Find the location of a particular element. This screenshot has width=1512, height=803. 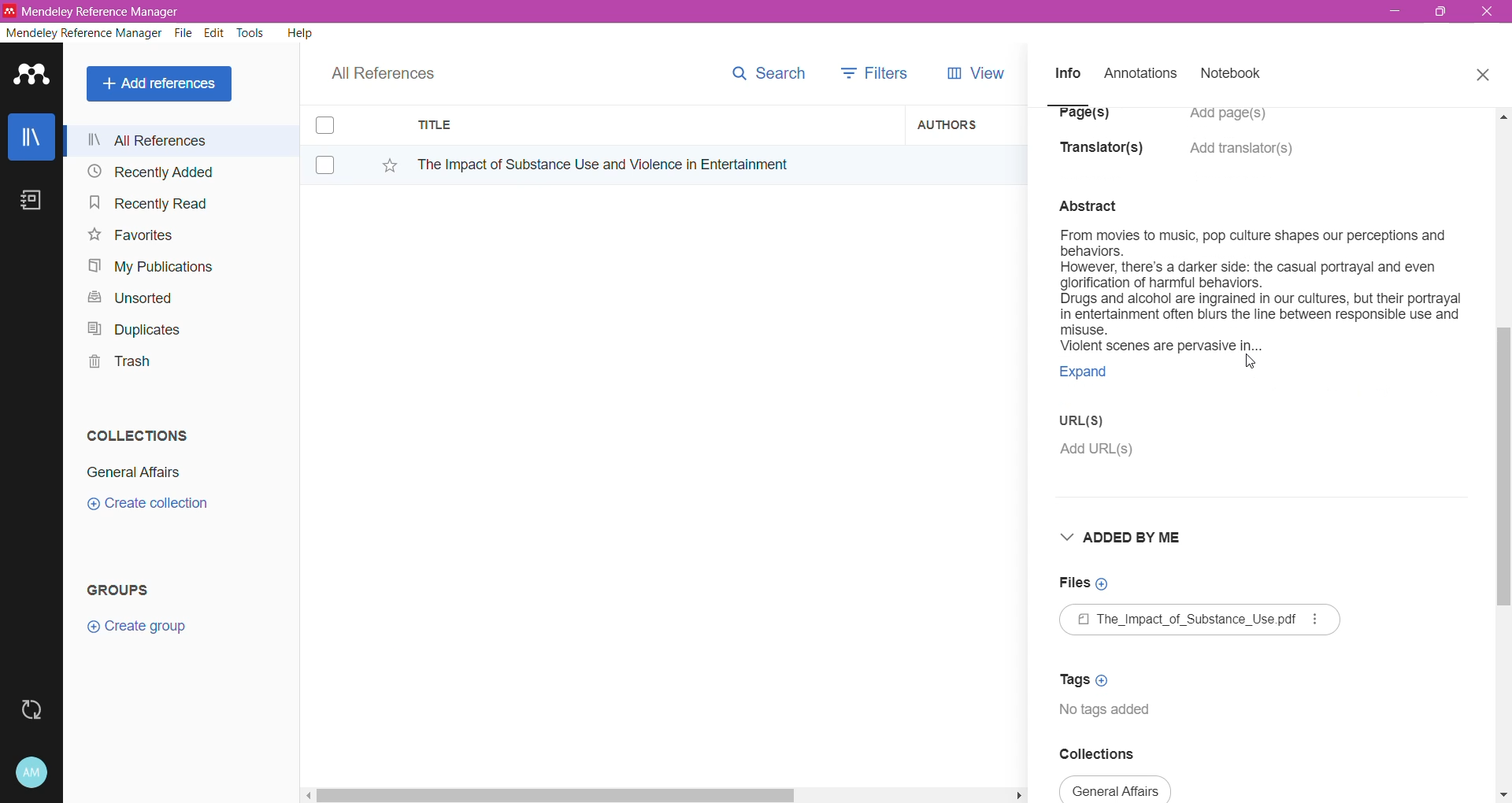

Mendeley Reference Manager is located at coordinates (84, 33).